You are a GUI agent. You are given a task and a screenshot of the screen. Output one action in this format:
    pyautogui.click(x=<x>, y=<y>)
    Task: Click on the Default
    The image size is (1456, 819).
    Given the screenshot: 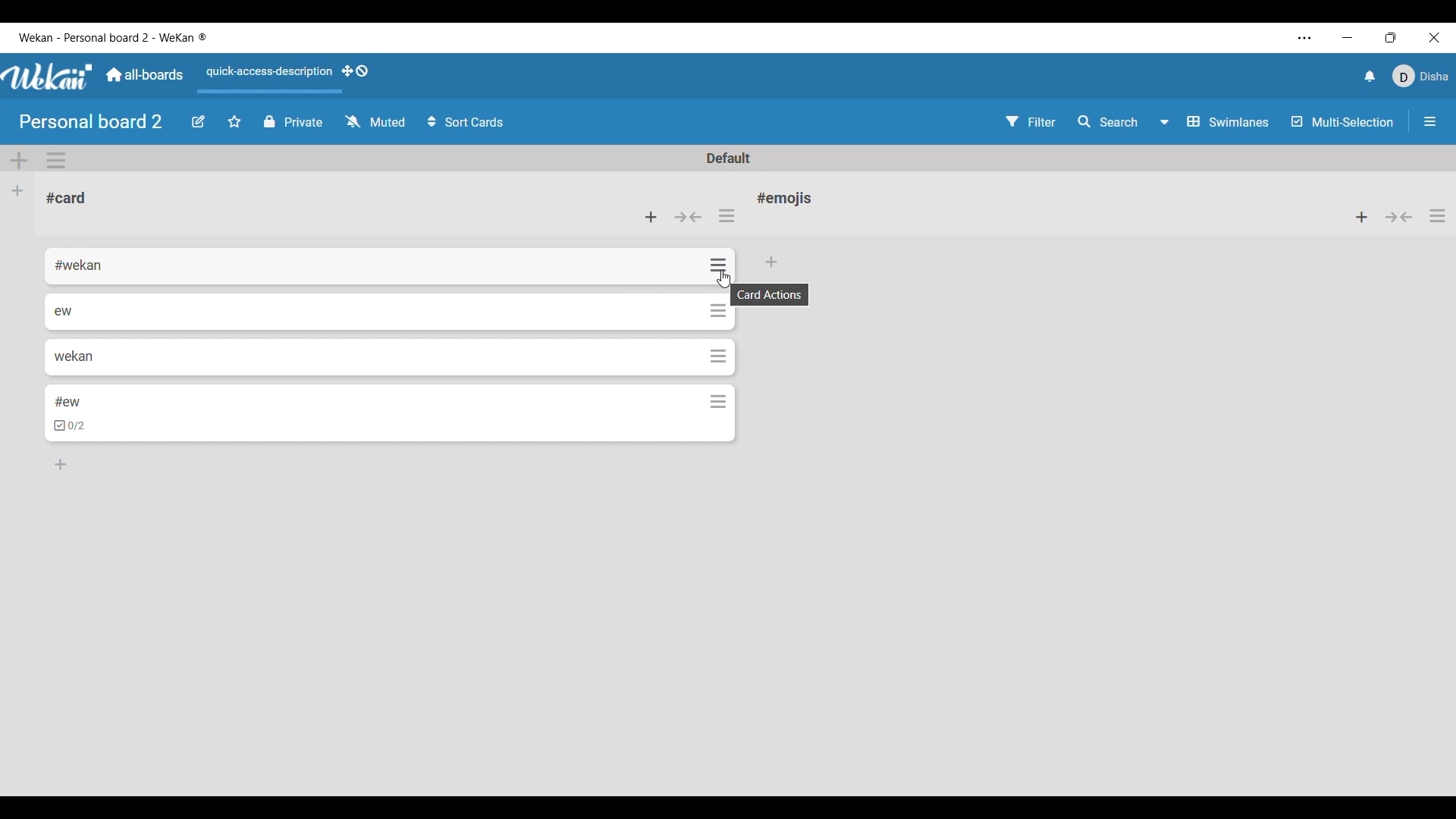 What is the action you would take?
    pyautogui.click(x=727, y=158)
    